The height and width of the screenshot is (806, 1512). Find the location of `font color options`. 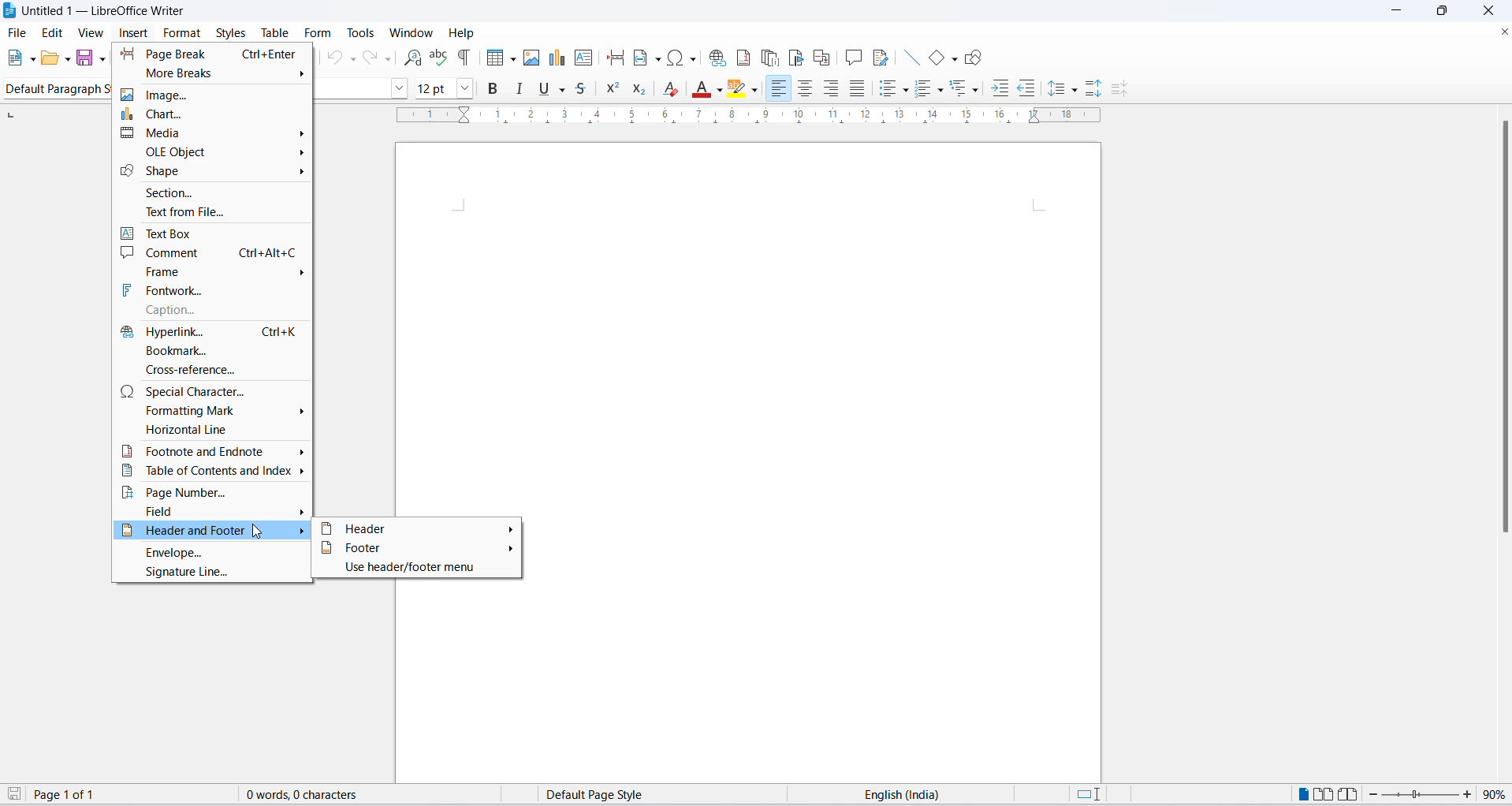

font color options is located at coordinates (718, 88).